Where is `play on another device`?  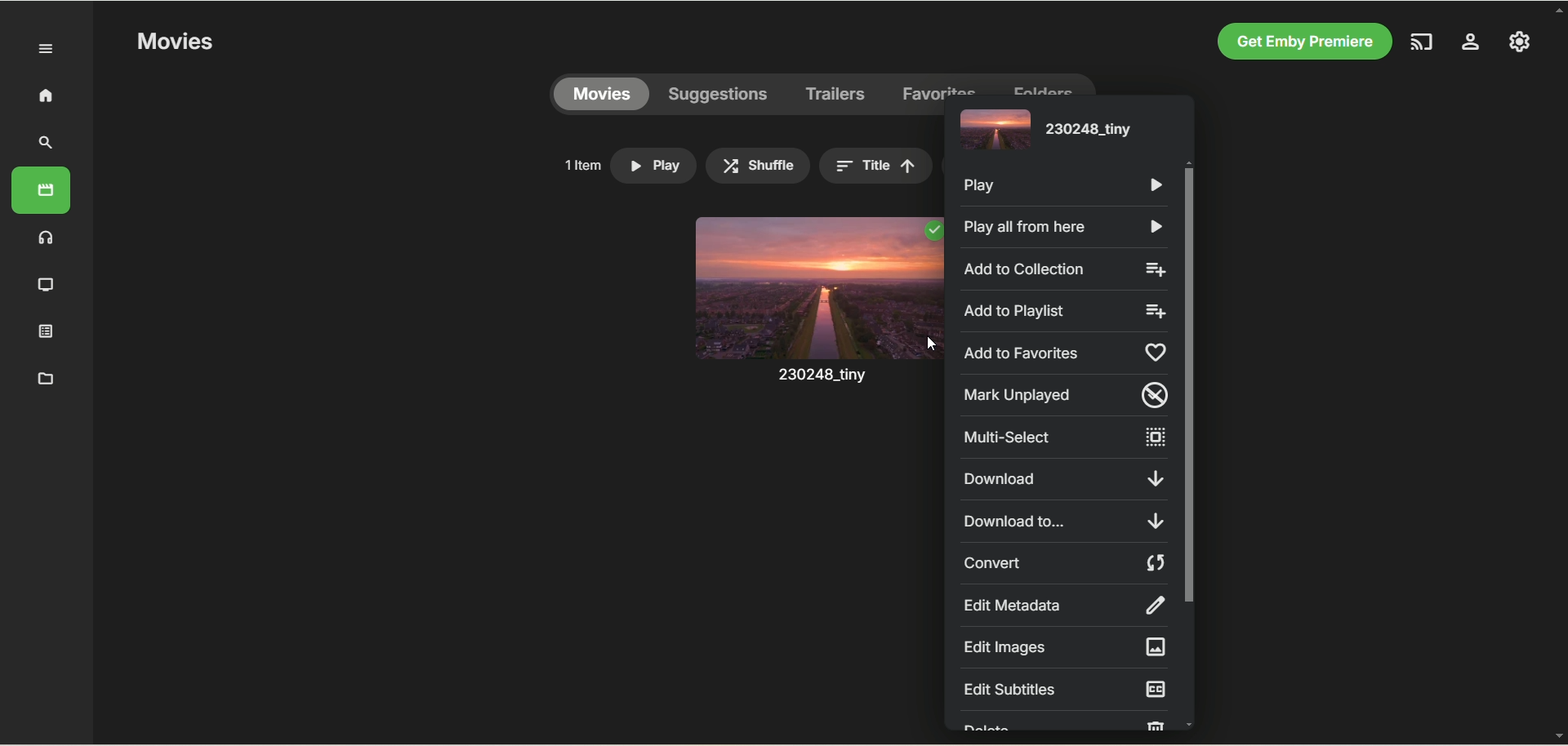
play on another device is located at coordinates (1423, 42).